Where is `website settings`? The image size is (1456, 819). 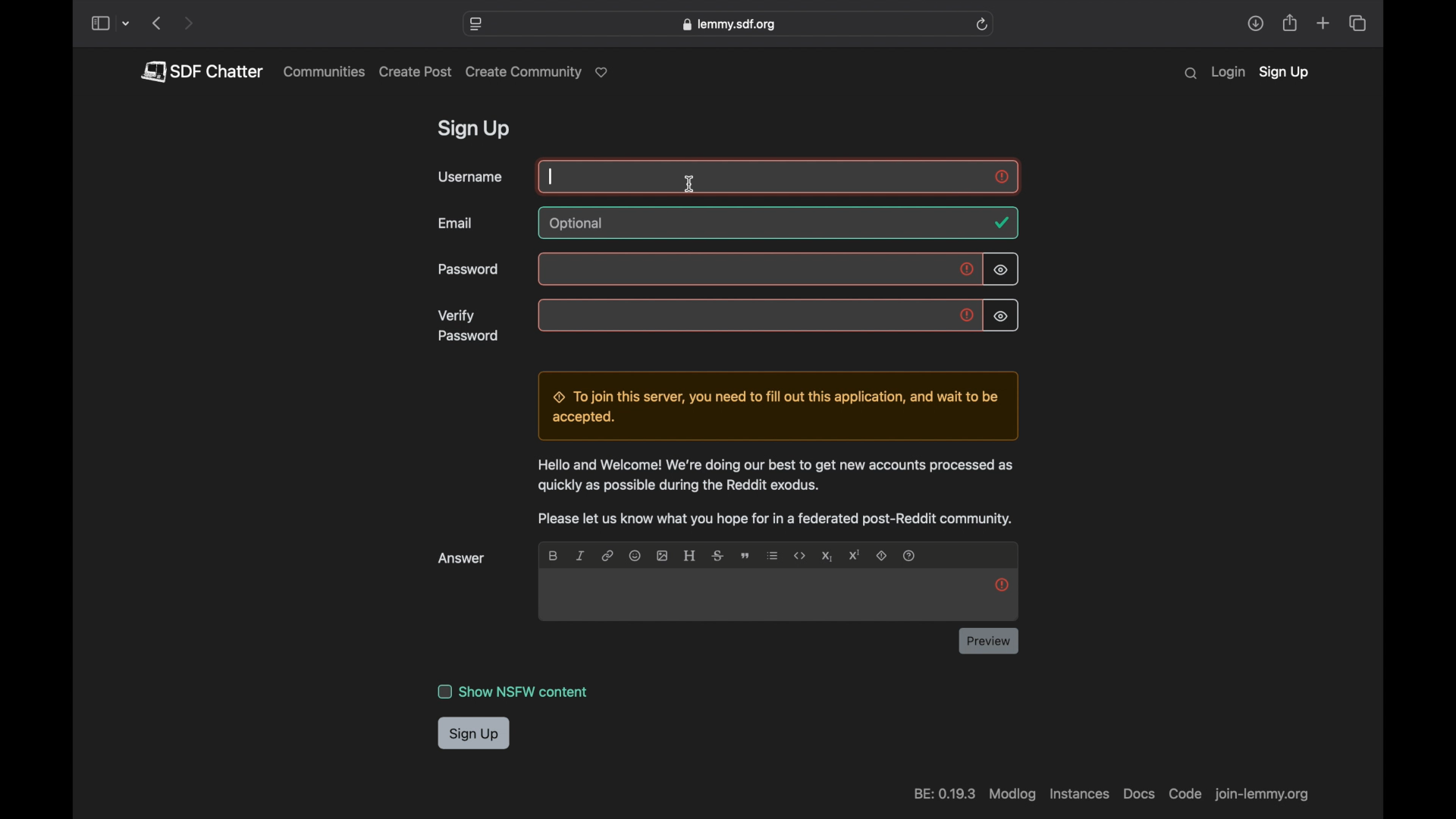
website settings is located at coordinates (477, 24).